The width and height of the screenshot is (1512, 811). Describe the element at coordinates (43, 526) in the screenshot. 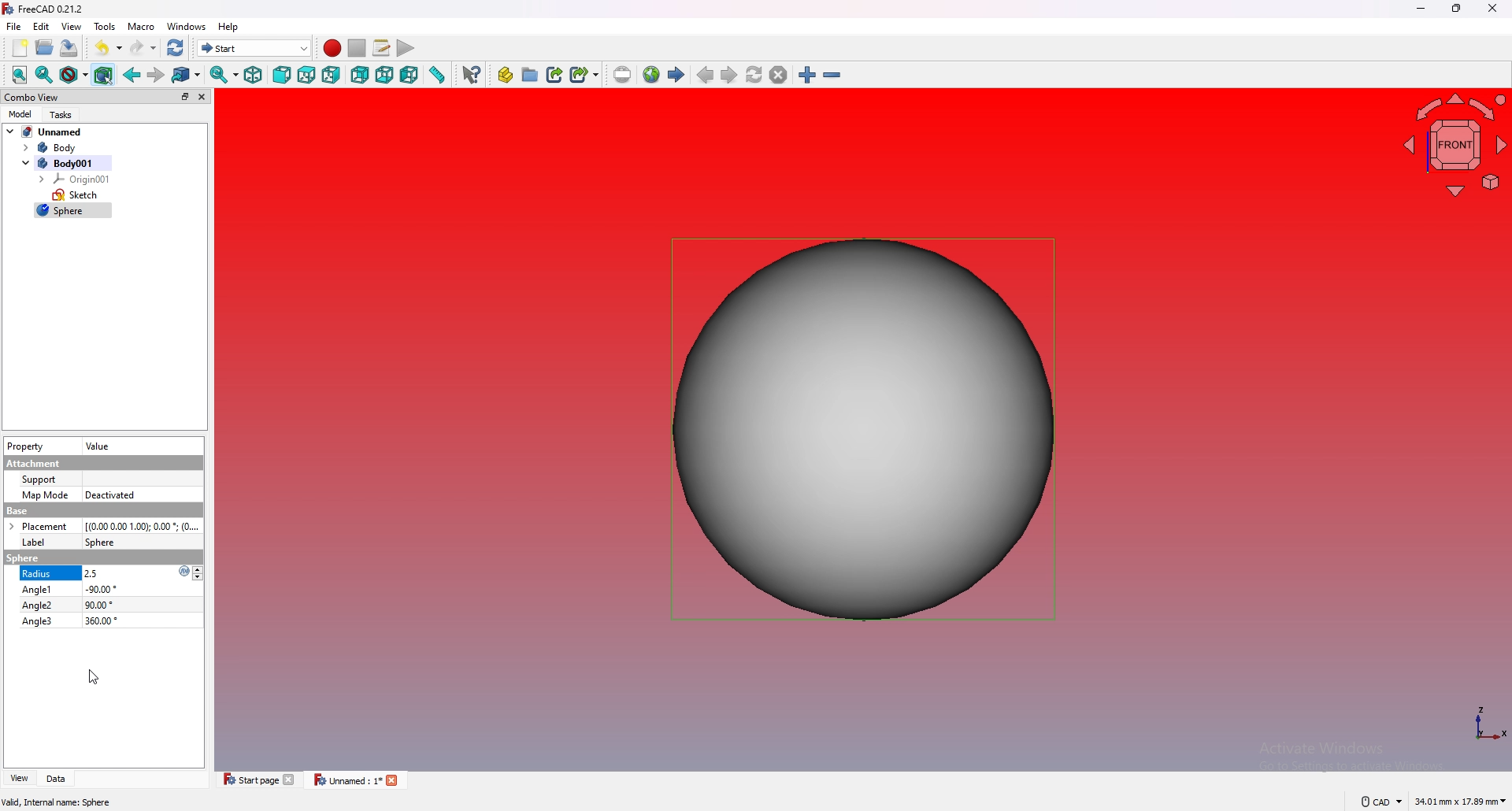

I see `>placement` at that location.